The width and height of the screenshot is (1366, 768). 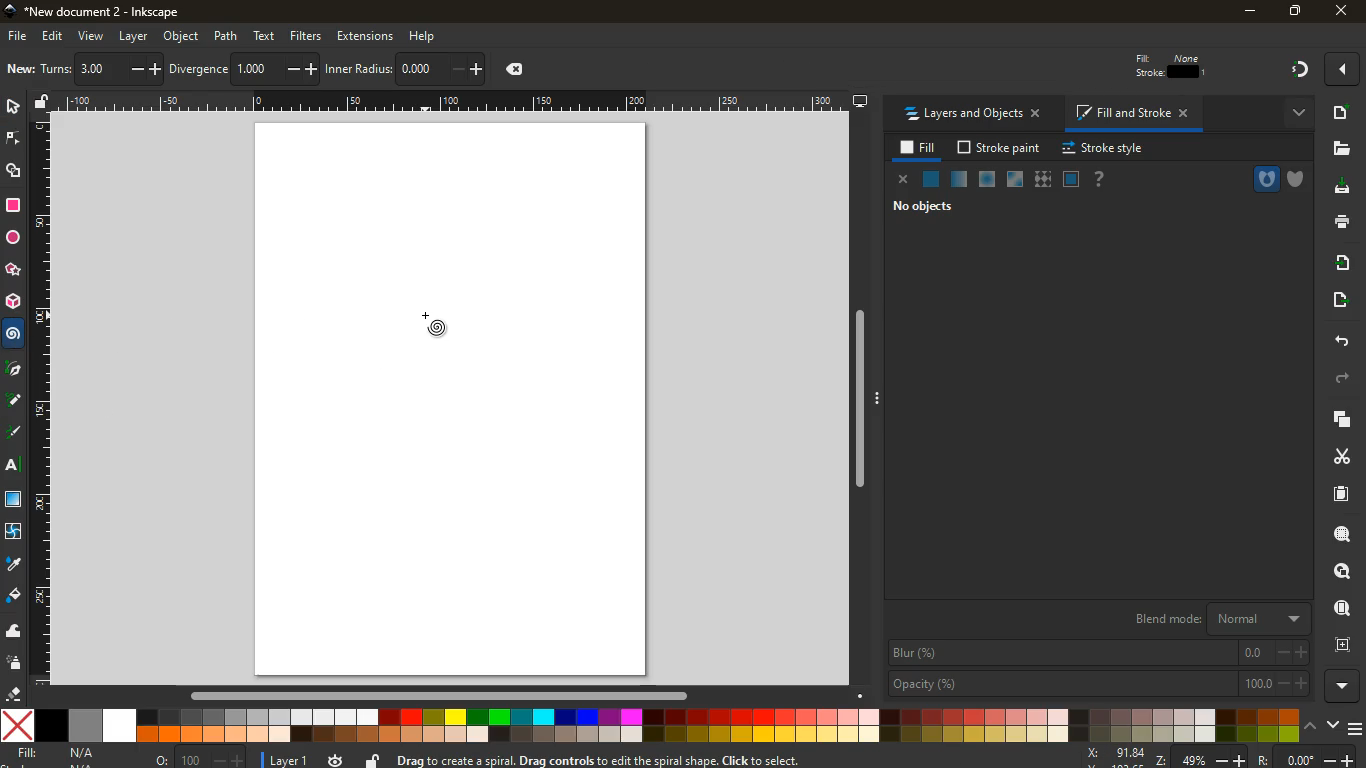 What do you see at coordinates (1341, 686) in the screenshot?
I see `more` at bounding box center [1341, 686].